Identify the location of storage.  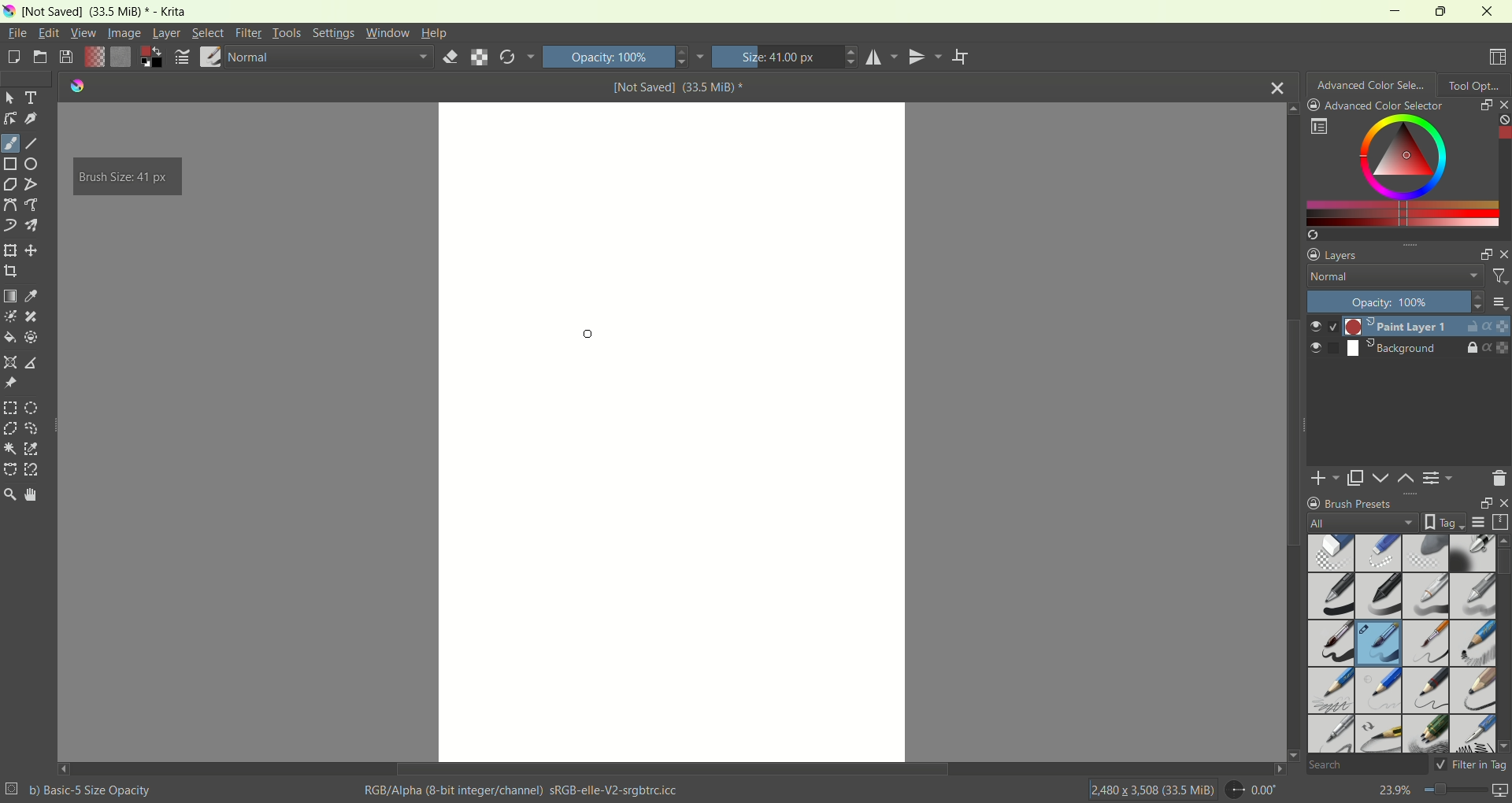
(1503, 522).